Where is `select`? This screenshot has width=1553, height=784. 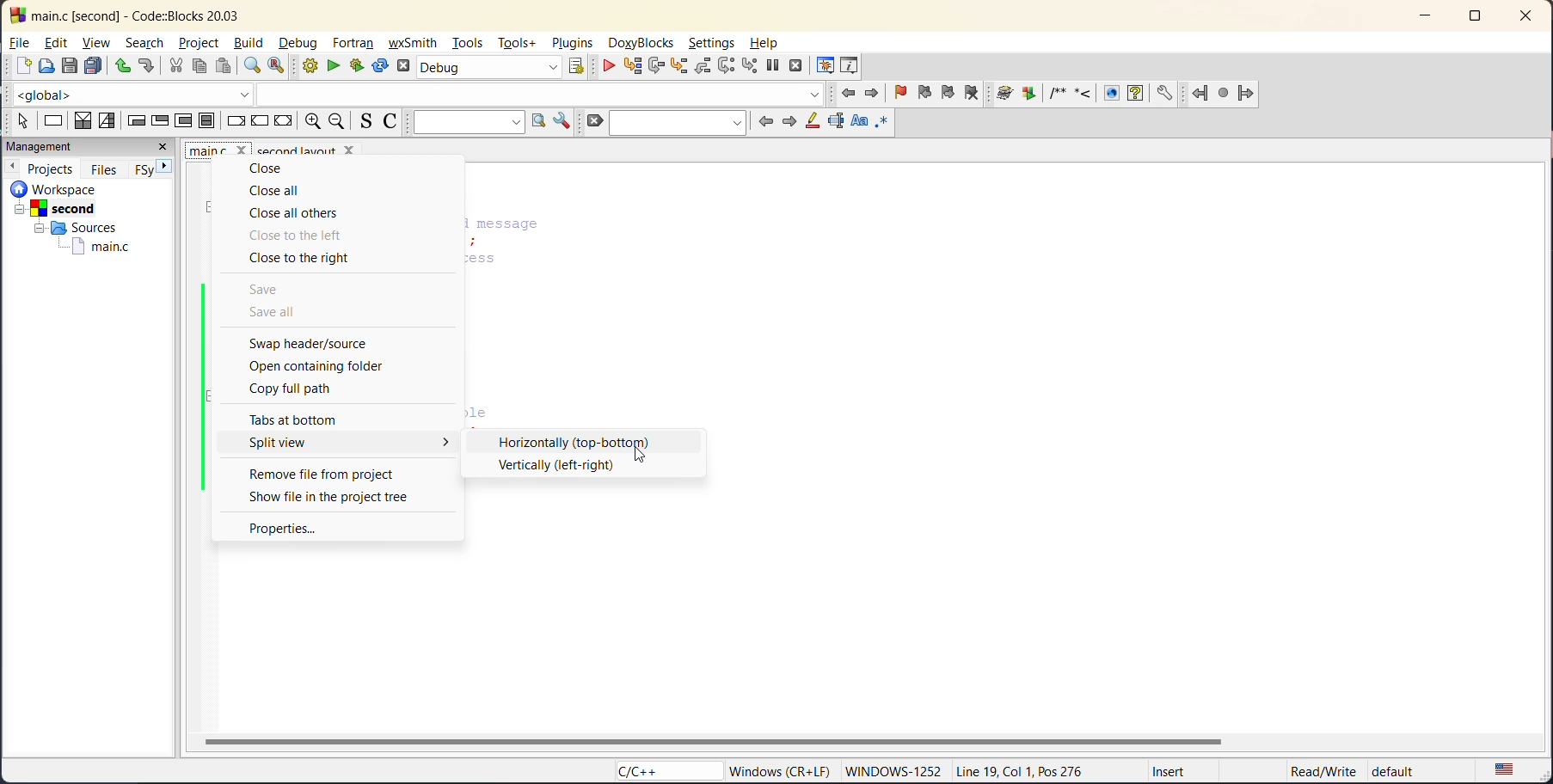
select is located at coordinates (21, 121).